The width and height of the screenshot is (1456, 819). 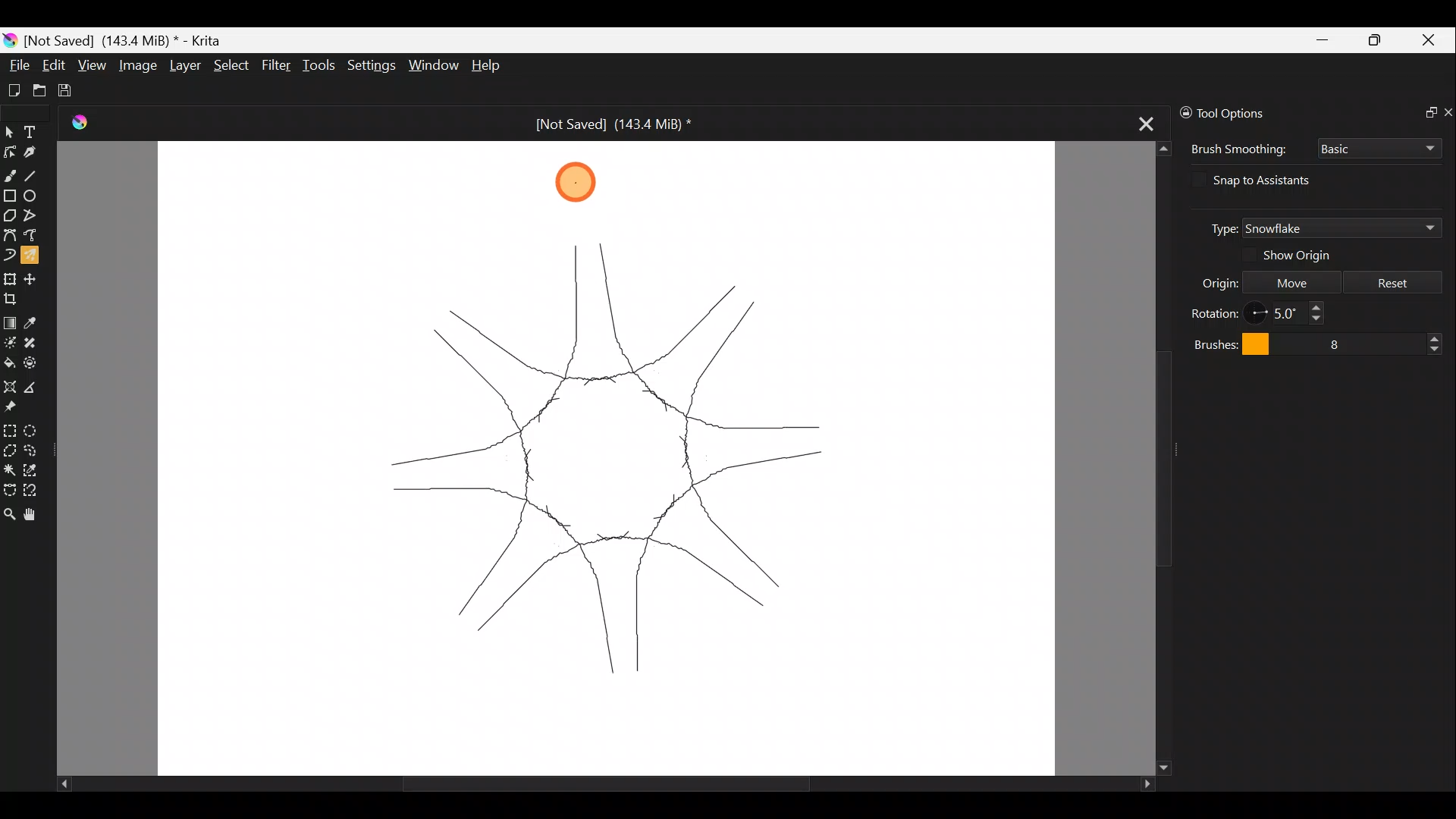 I want to click on Show origin, so click(x=1307, y=256).